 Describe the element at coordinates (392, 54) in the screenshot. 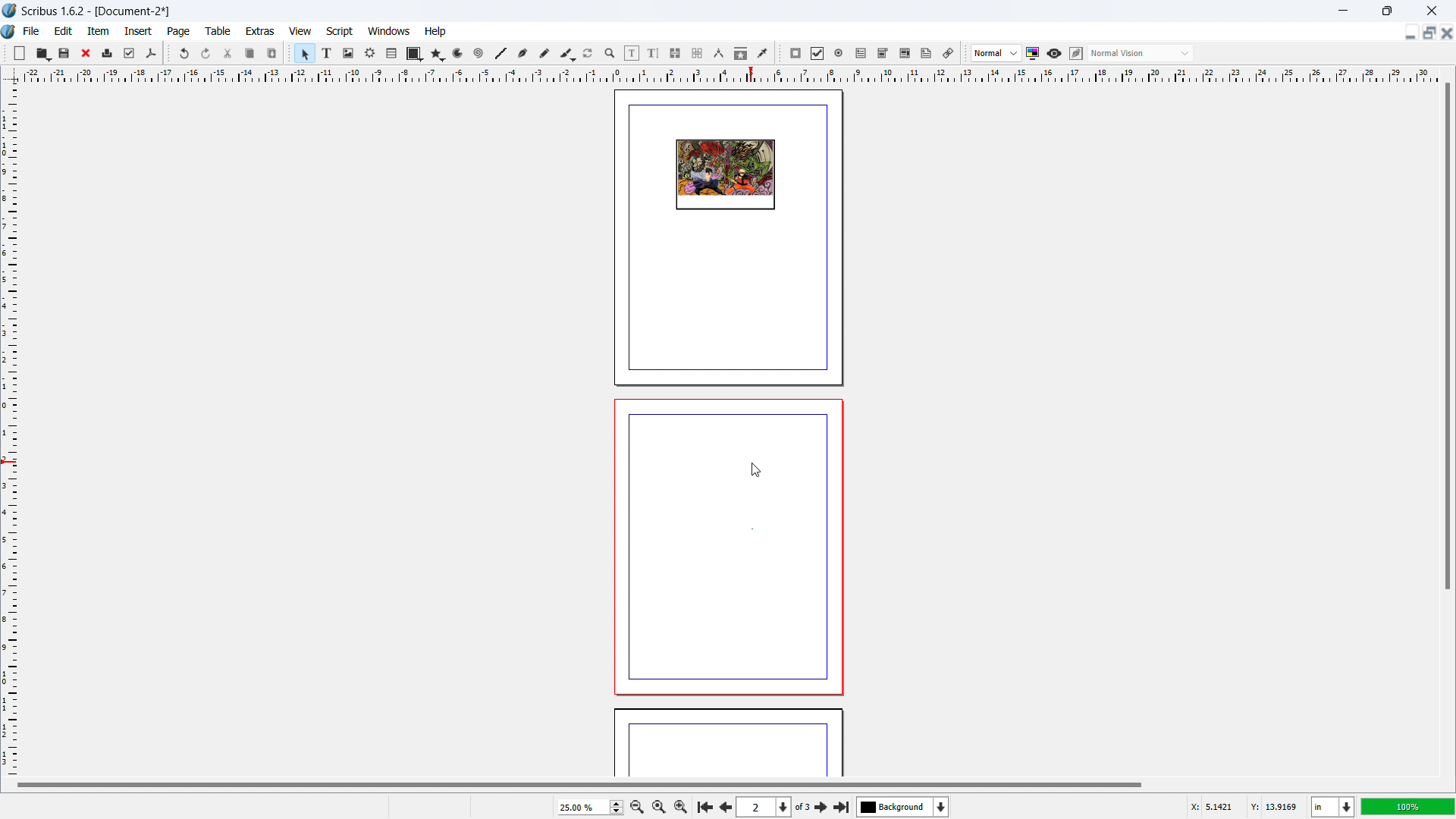

I see `table` at that location.